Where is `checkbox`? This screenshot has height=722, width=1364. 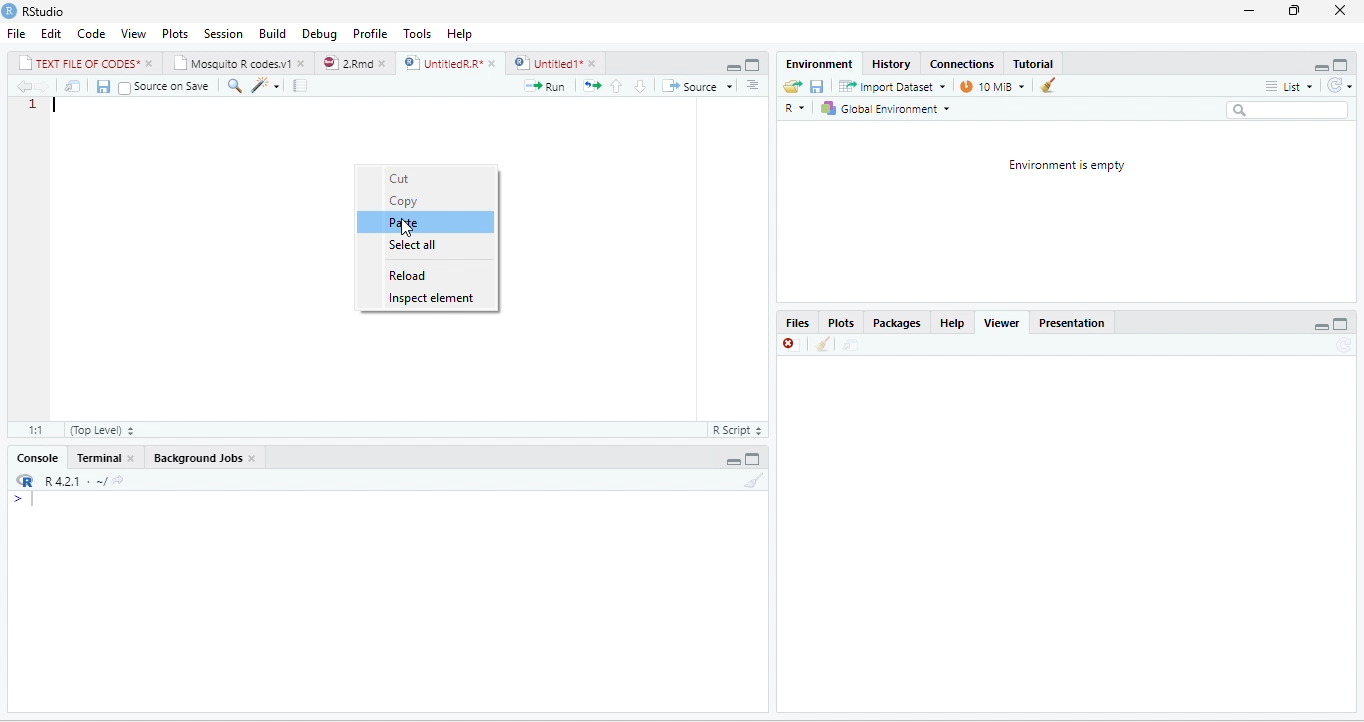
checkbox is located at coordinates (124, 87).